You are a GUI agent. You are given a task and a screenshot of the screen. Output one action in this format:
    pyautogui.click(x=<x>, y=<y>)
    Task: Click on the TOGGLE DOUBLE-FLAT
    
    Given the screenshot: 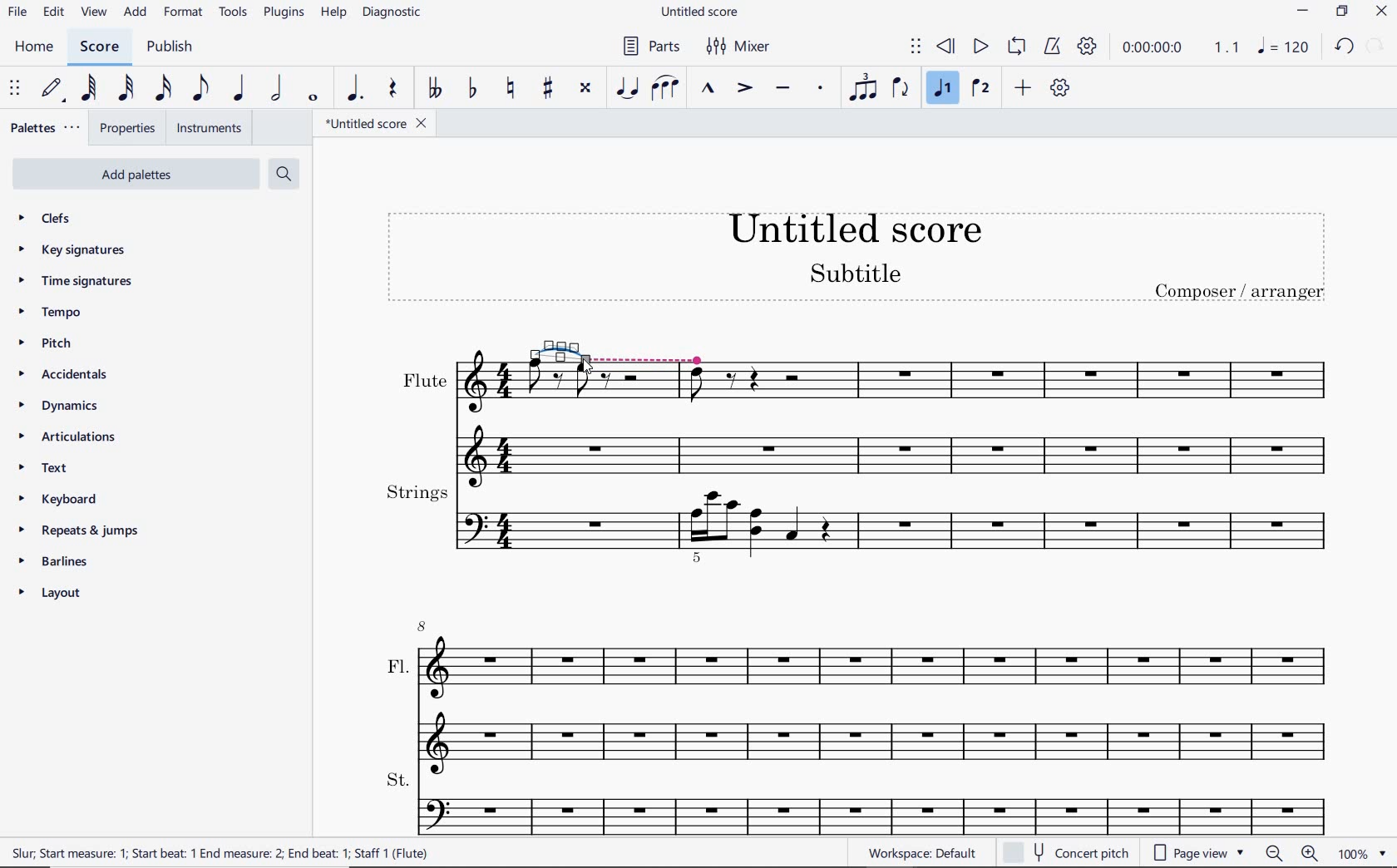 What is the action you would take?
    pyautogui.click(x=432, y=88)
    